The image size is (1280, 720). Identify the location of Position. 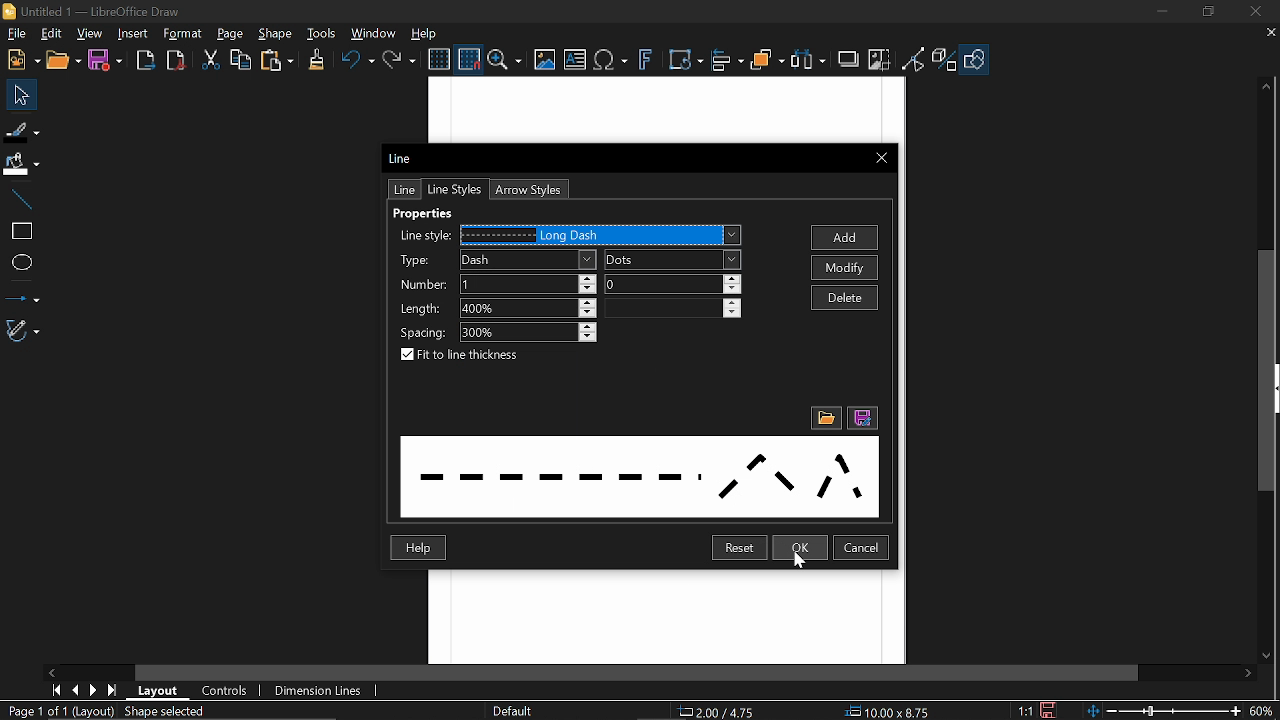
(720, 712).